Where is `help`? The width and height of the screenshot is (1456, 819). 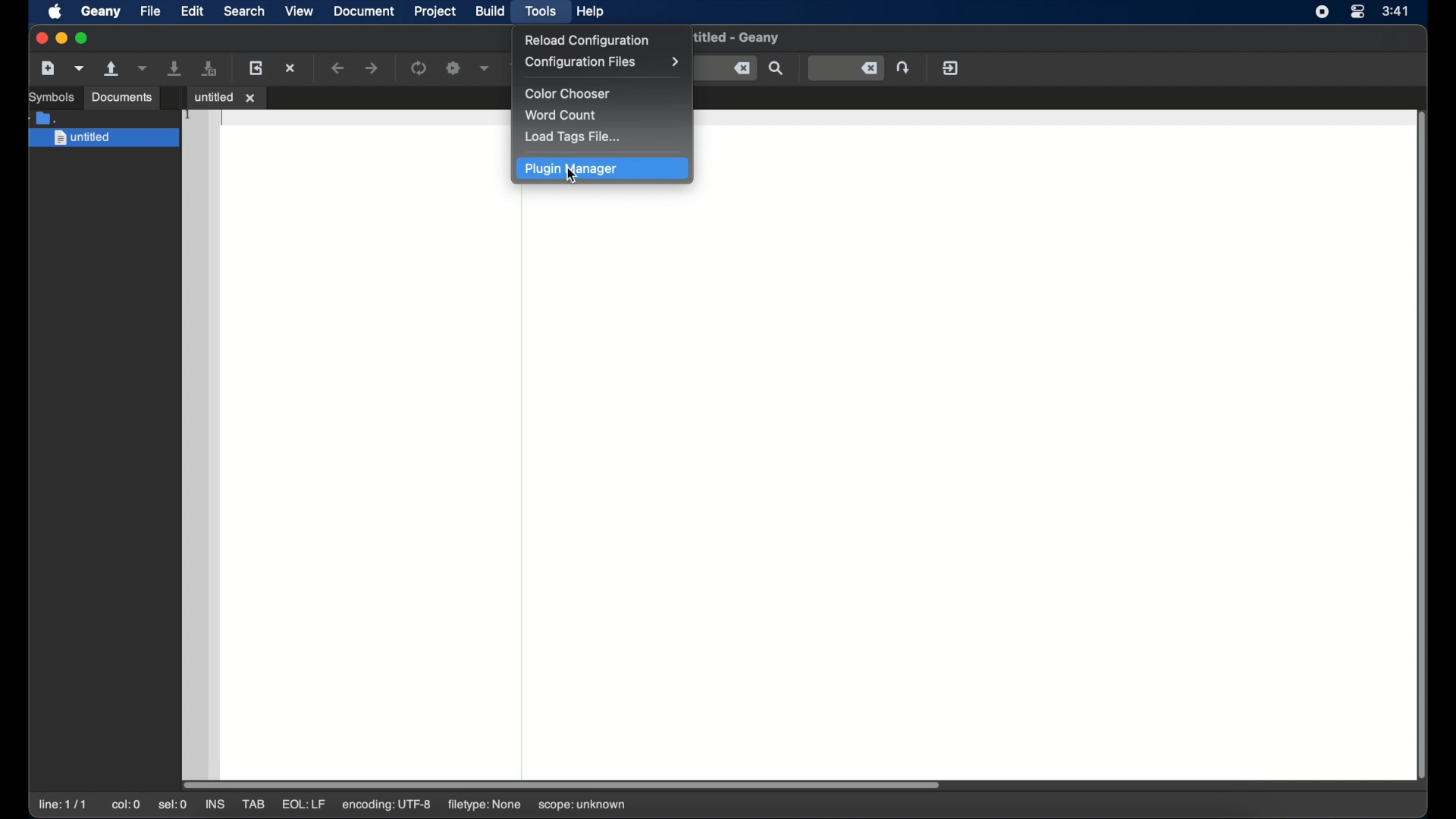 help is located at coordinates (591, 11).